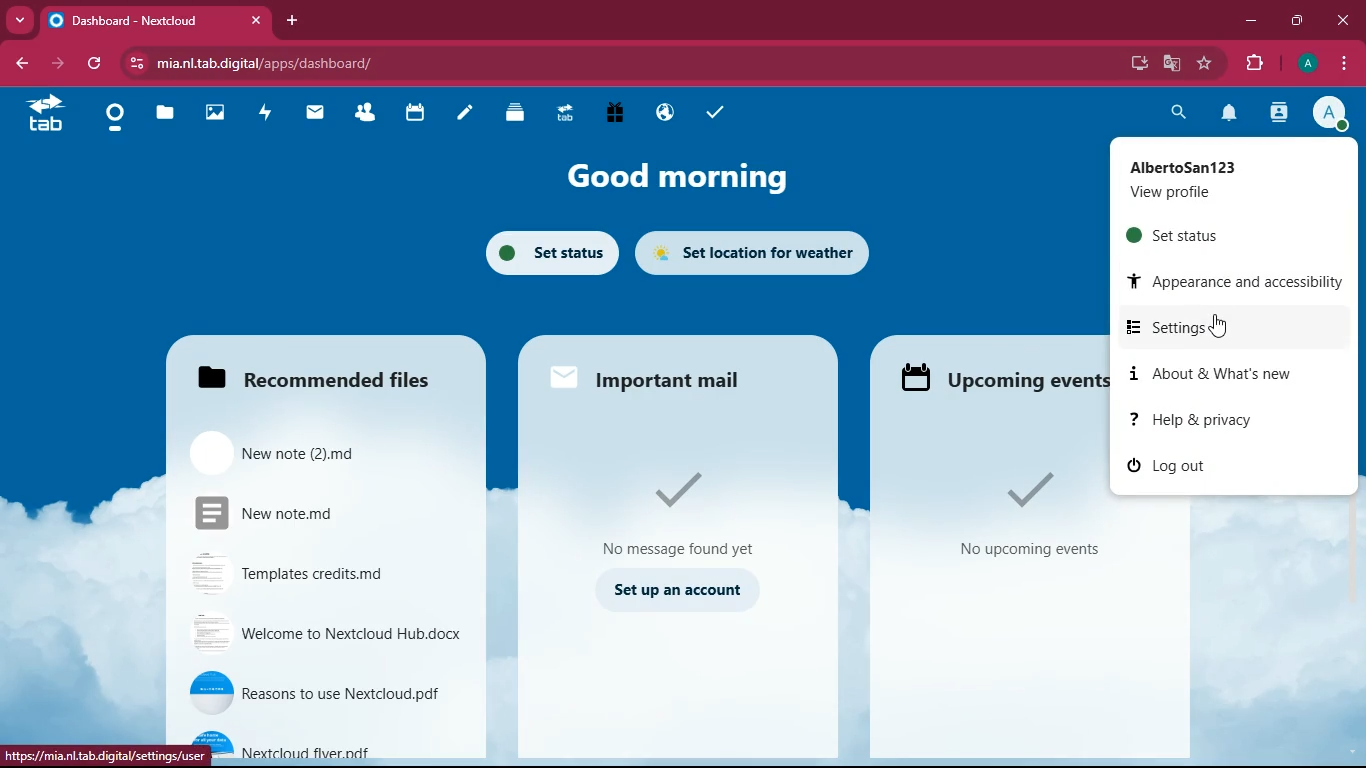 This screenshot has height=768, width=1366. What do you see at coordinates (712, 112) in the screenshot?
I see `tasks` at bounding box center [712, 112].